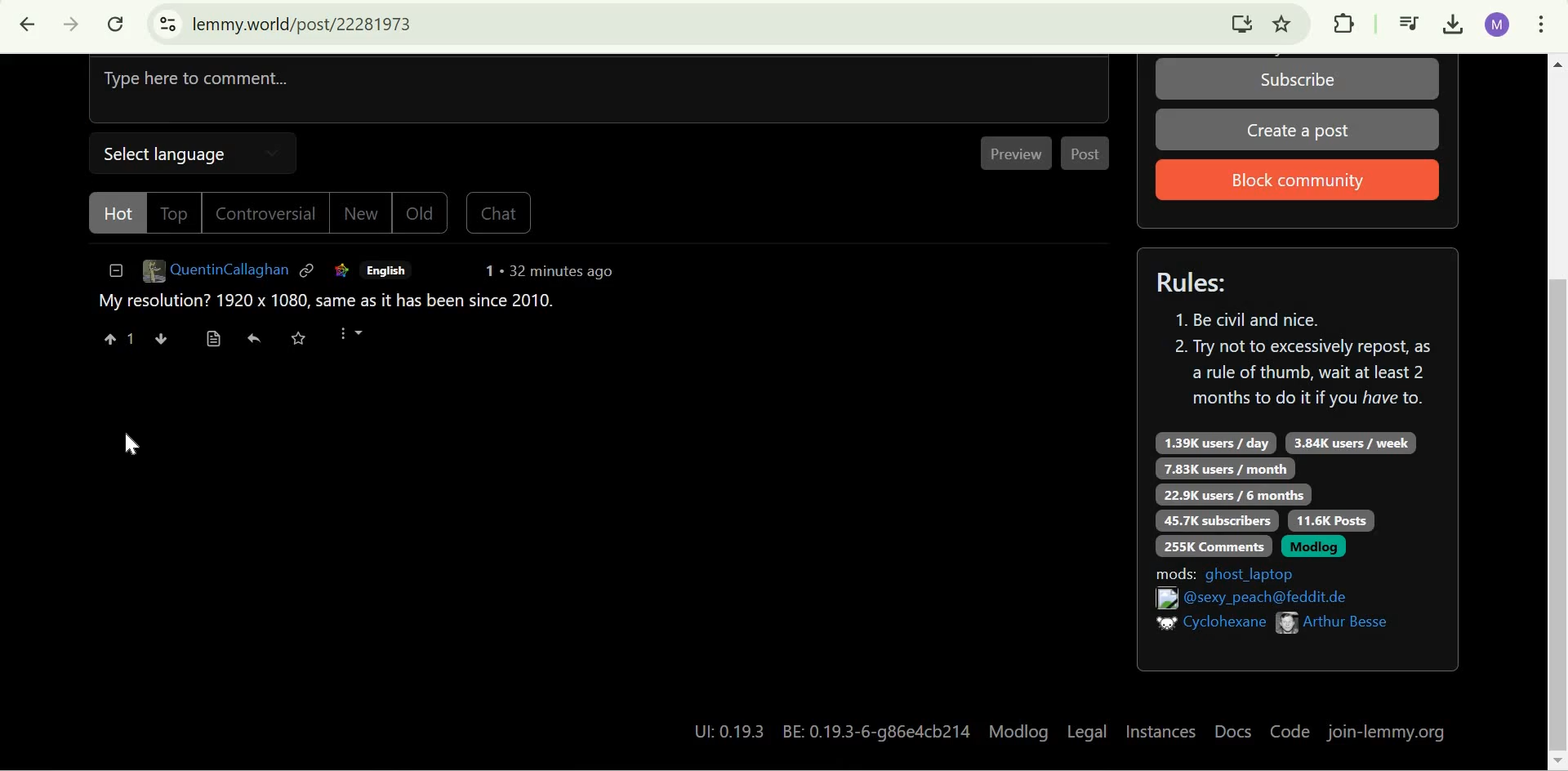 This screenshot has width=1568, height=771. What do you see at coordinates (127, 444) in the screenshot?
I see `cursor` at bounding box center [127, 444].